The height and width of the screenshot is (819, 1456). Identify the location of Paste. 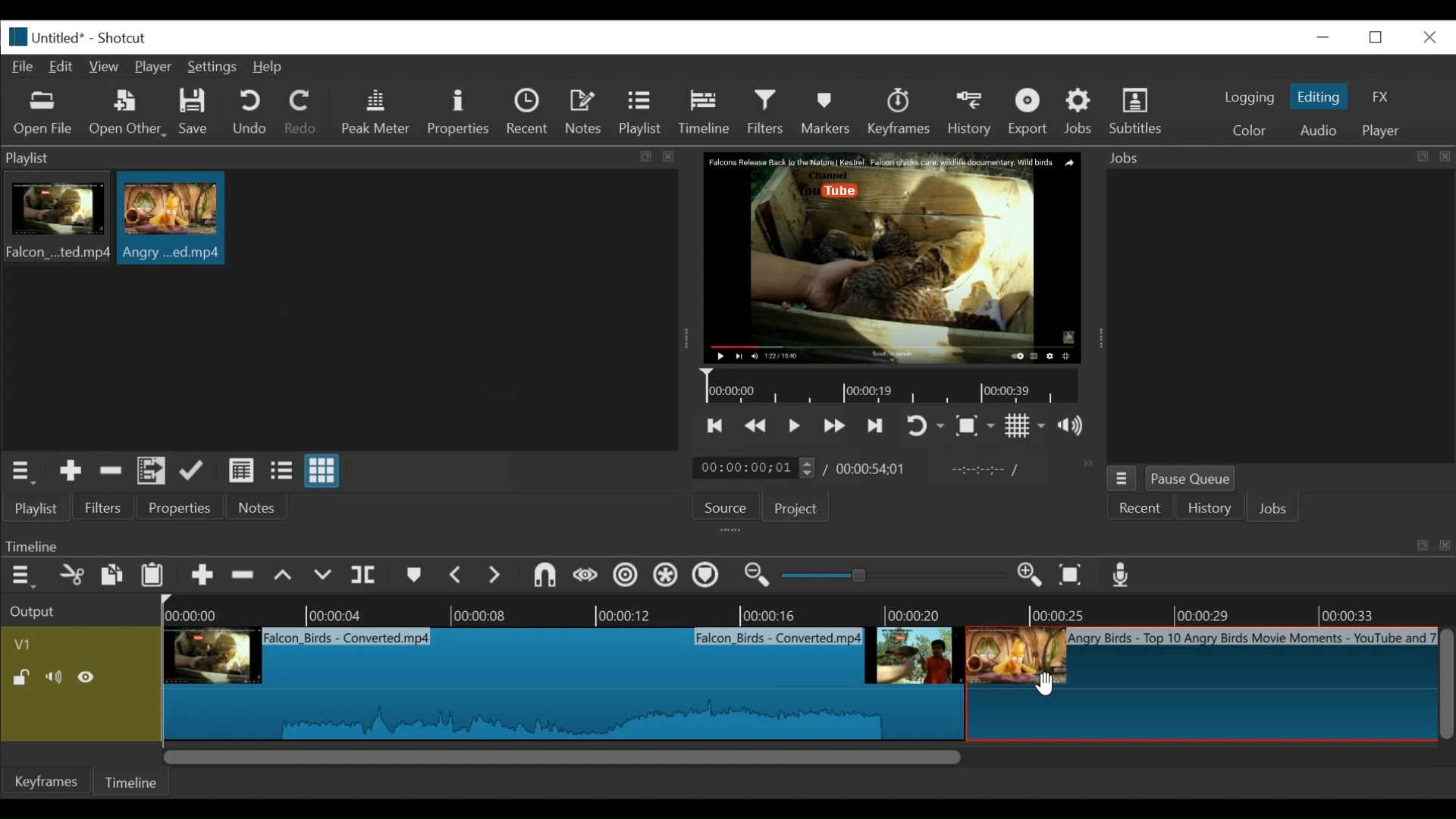
(158, 577).